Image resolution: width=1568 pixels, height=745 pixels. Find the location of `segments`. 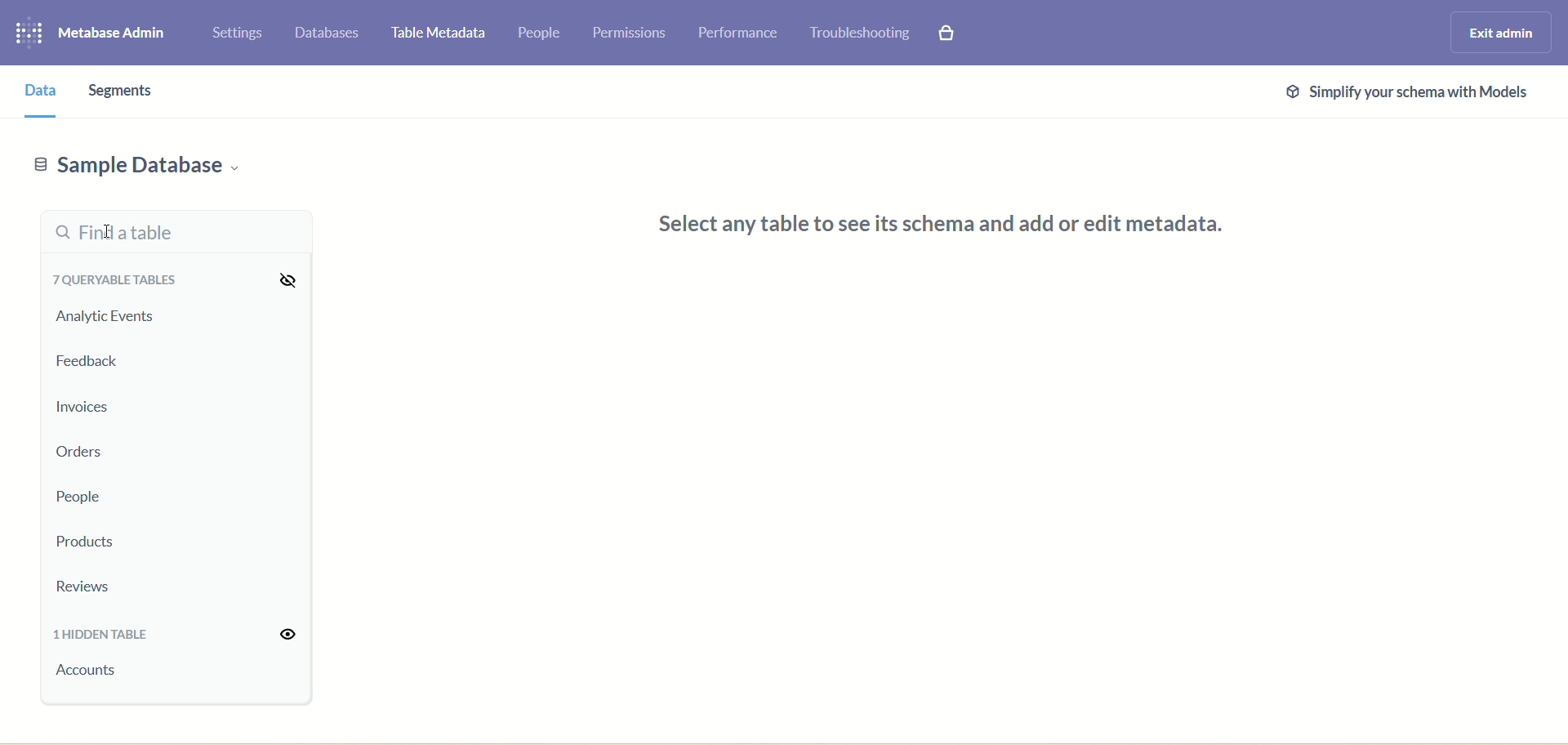

segments is located at coordinates (130, 94).